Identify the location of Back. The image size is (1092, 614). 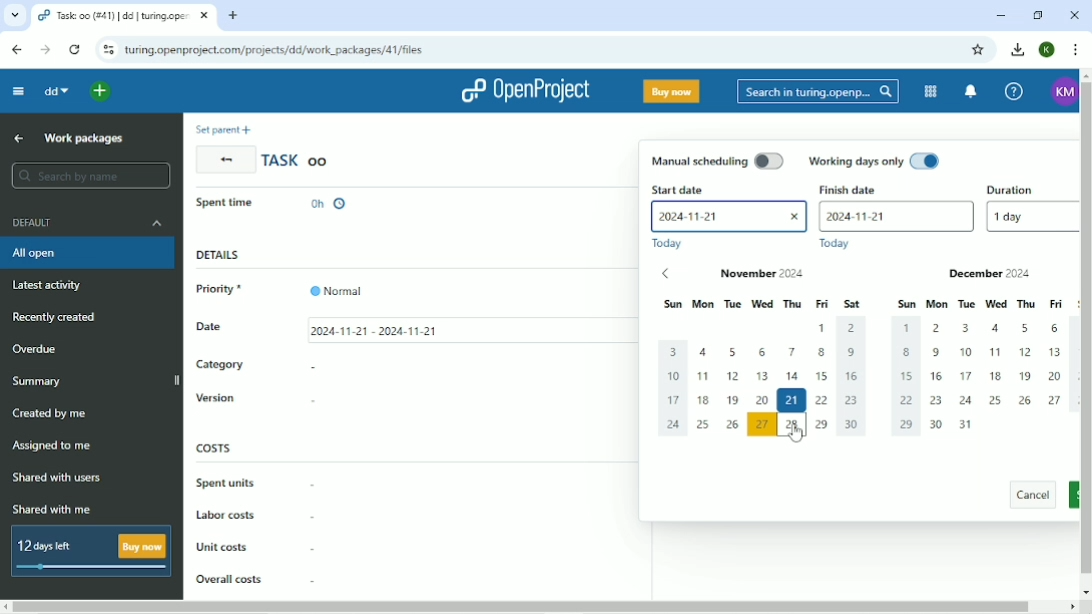
(224, 160).